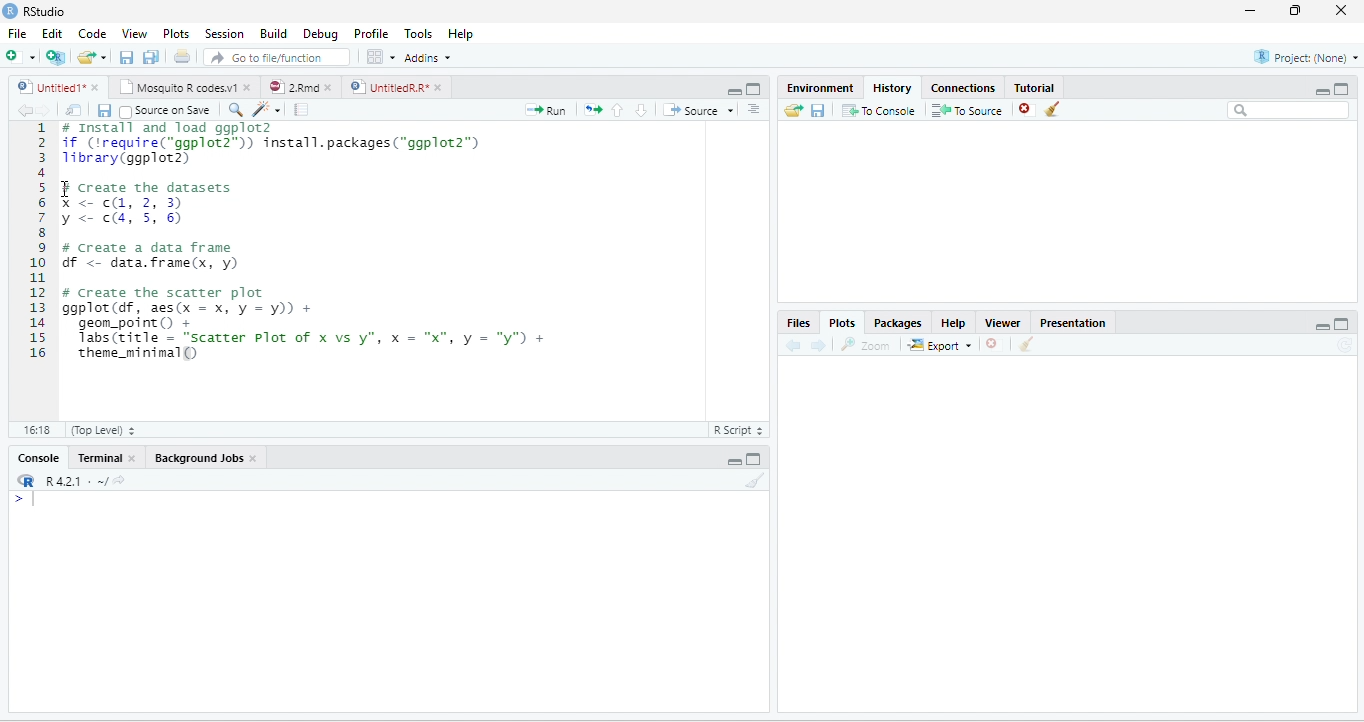 The image size is (1364, 722). Describe the element at coordinates (1035, 86) in the screenshot. I see `Tutorial` at that location.